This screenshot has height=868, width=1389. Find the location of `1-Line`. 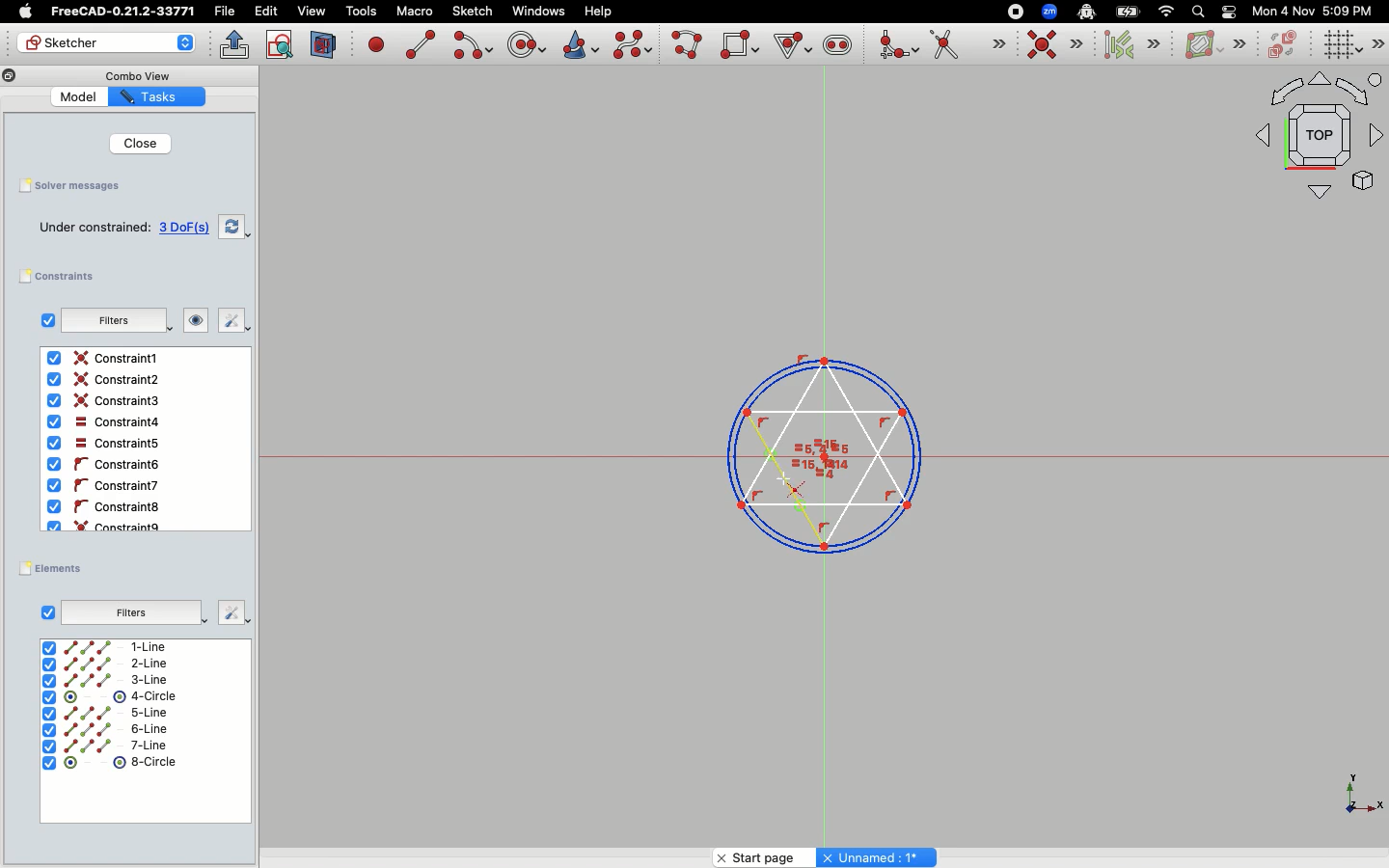

1-Line is located at coordinates (114, 647).